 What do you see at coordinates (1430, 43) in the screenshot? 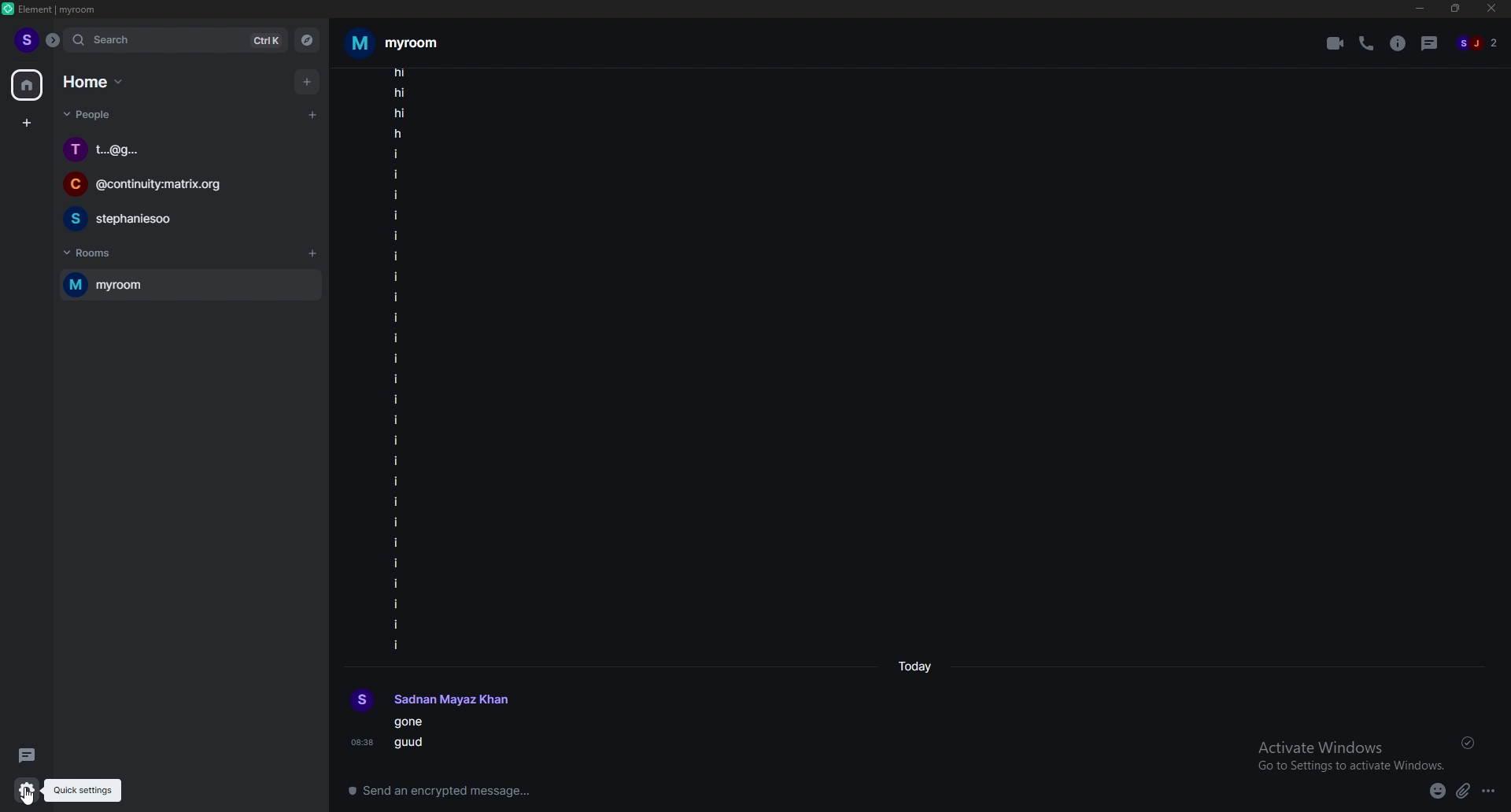
I see `thread` at bounding box center [1430, 43].